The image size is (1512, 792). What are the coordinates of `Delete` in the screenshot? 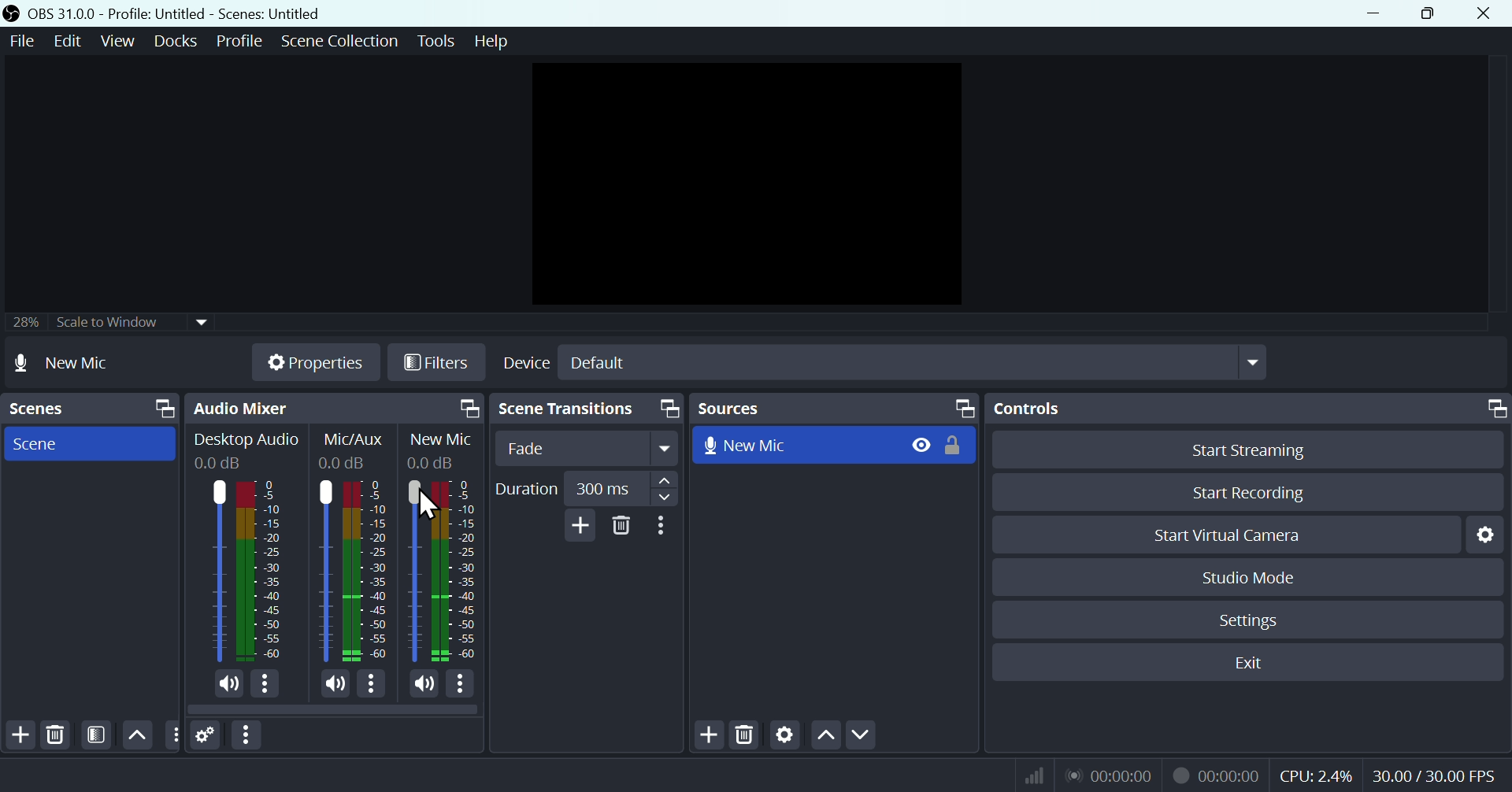 It's located at (747, 737).